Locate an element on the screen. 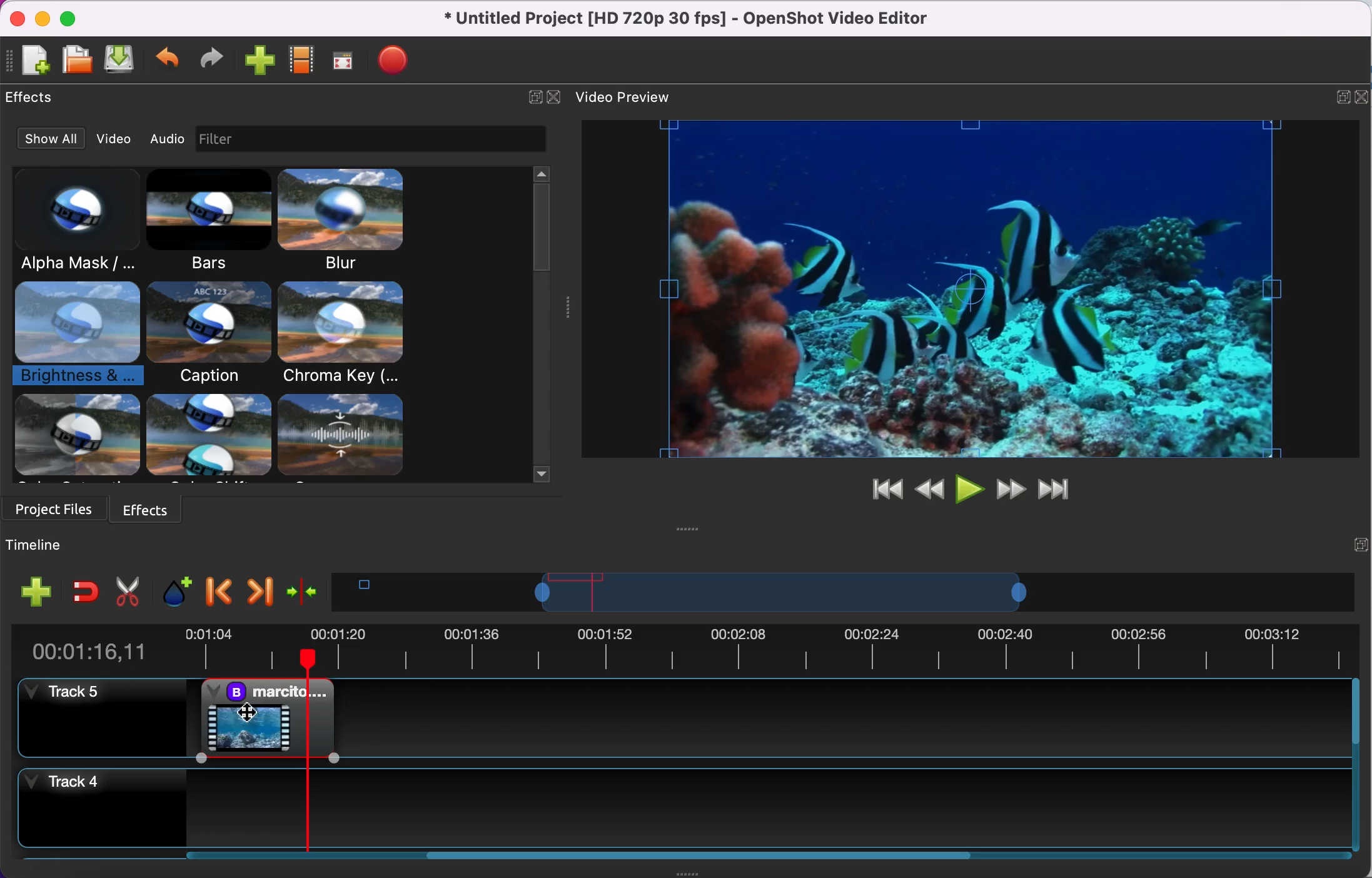 This screenshot has height=878, width=1372. alpha mask is located at coordinates (79, 221).